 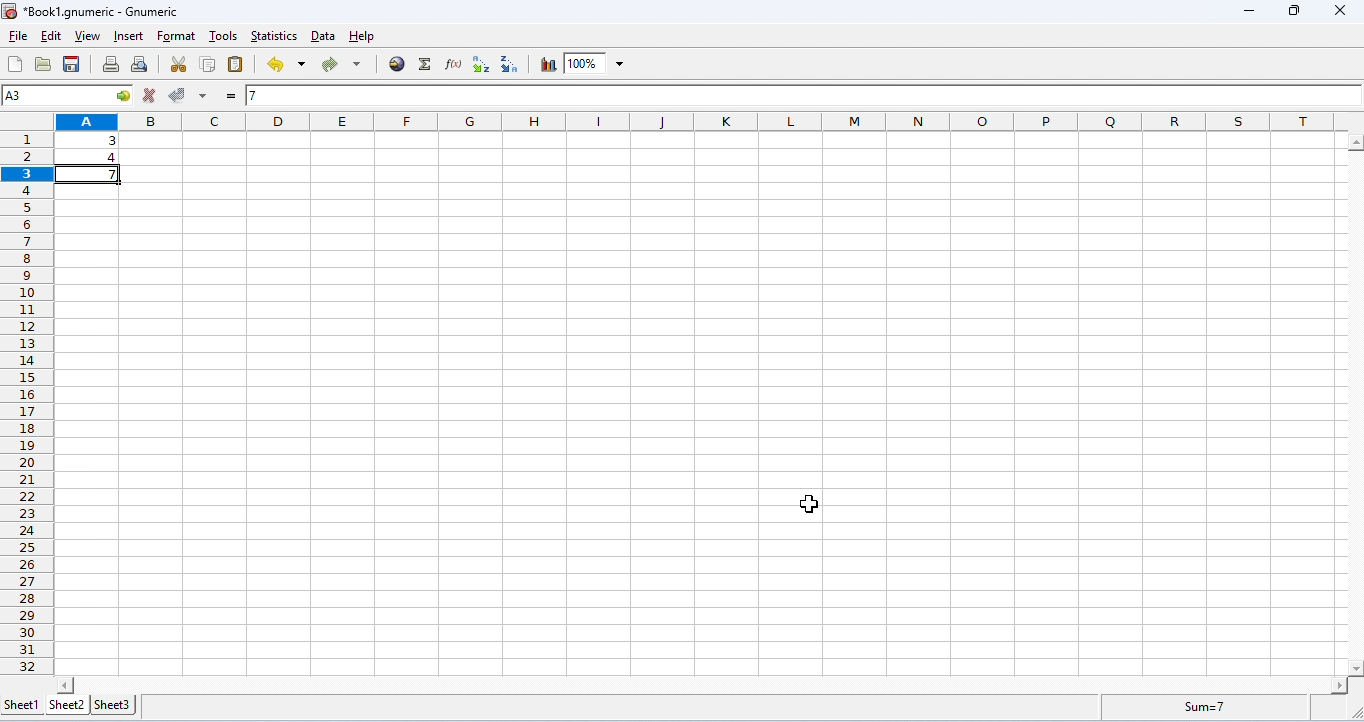 What do you see at coordinates (237, 64) in the screenshot?
I see `paste` at bounding box center [237, 64].